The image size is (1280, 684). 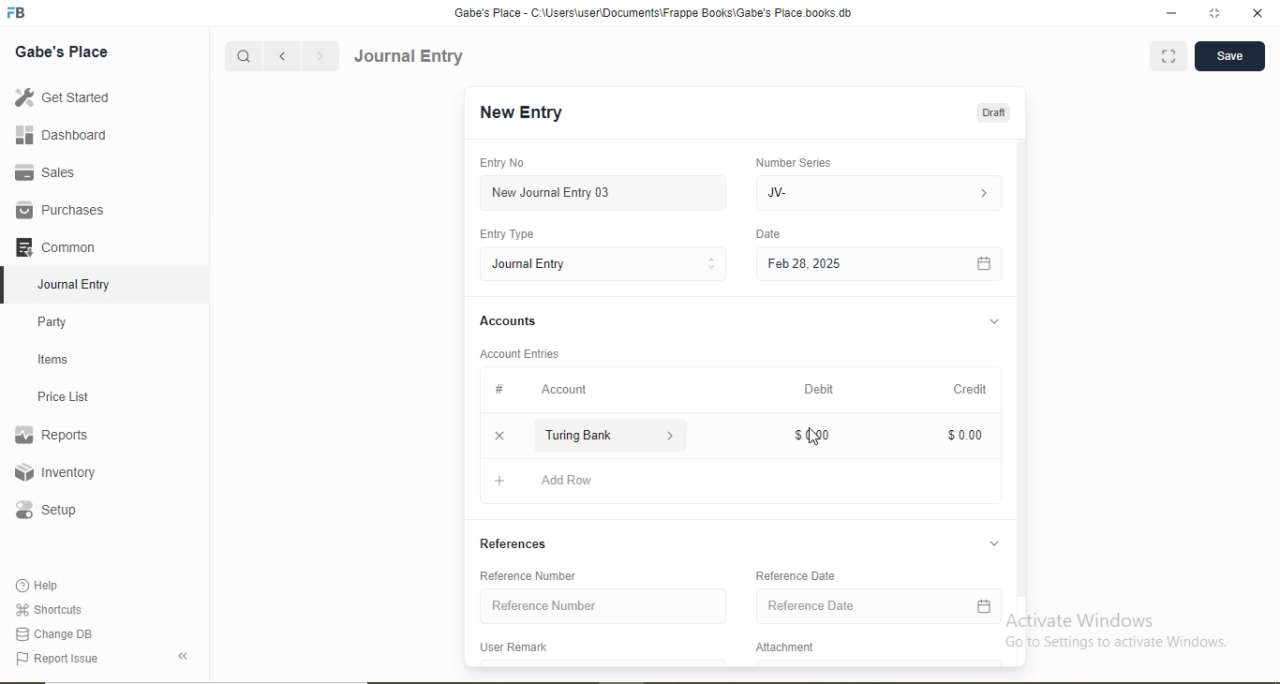 I want to click on minimize, so click(x=1169, y=14).